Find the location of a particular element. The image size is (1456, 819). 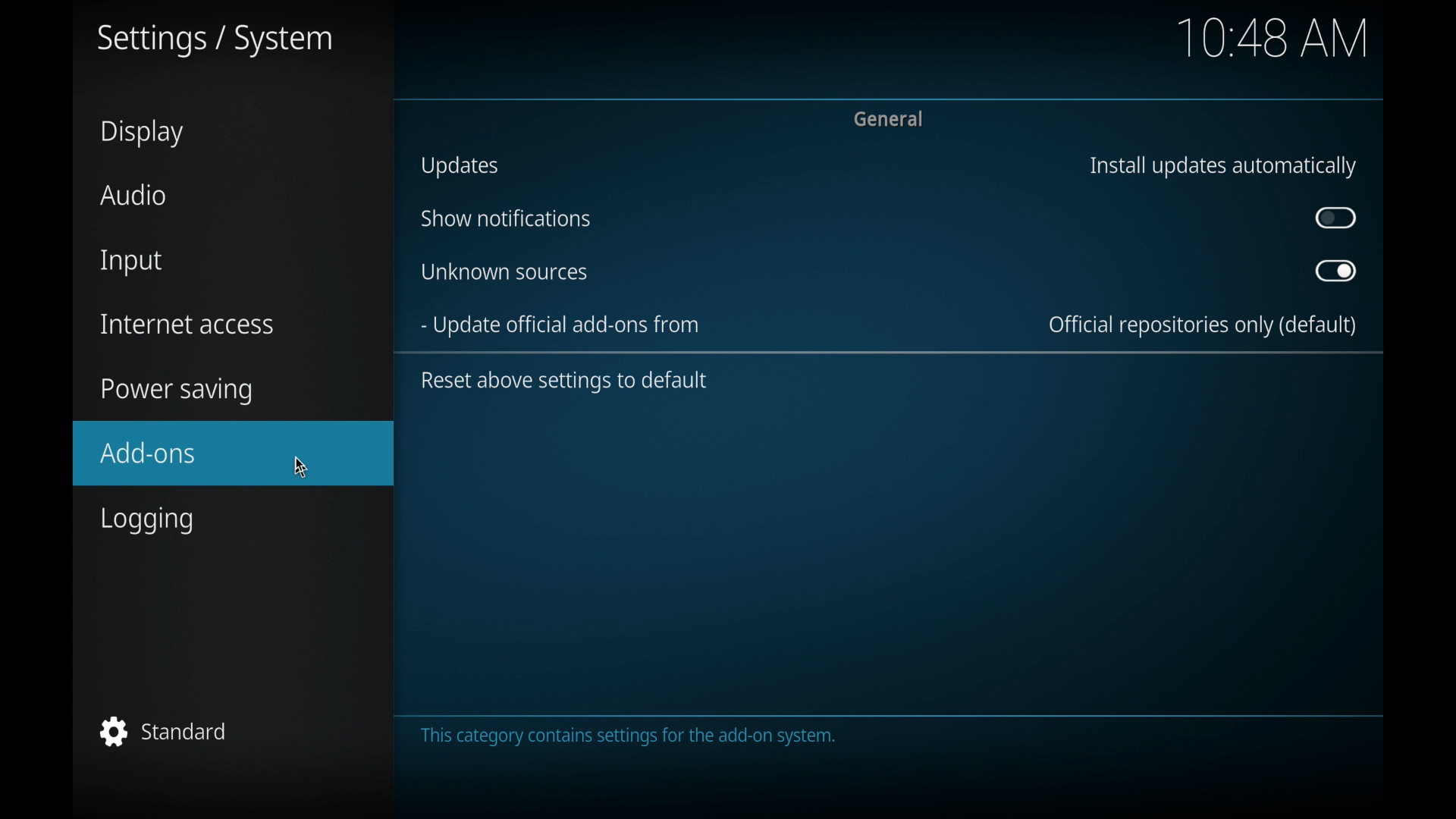

update official add-ons from is located at coordinates (558, 327).